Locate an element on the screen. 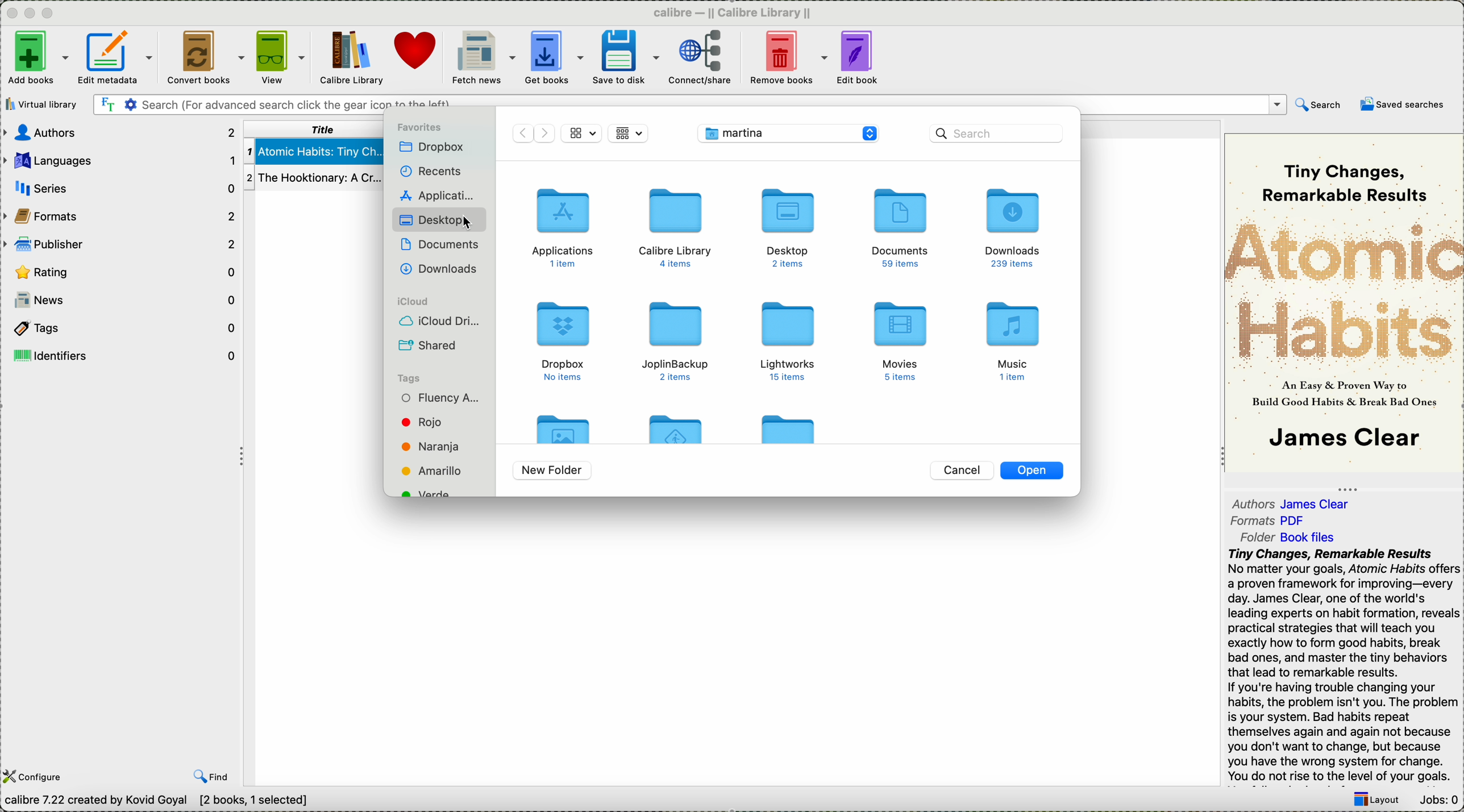  rating is located at coordinates (118, 270).